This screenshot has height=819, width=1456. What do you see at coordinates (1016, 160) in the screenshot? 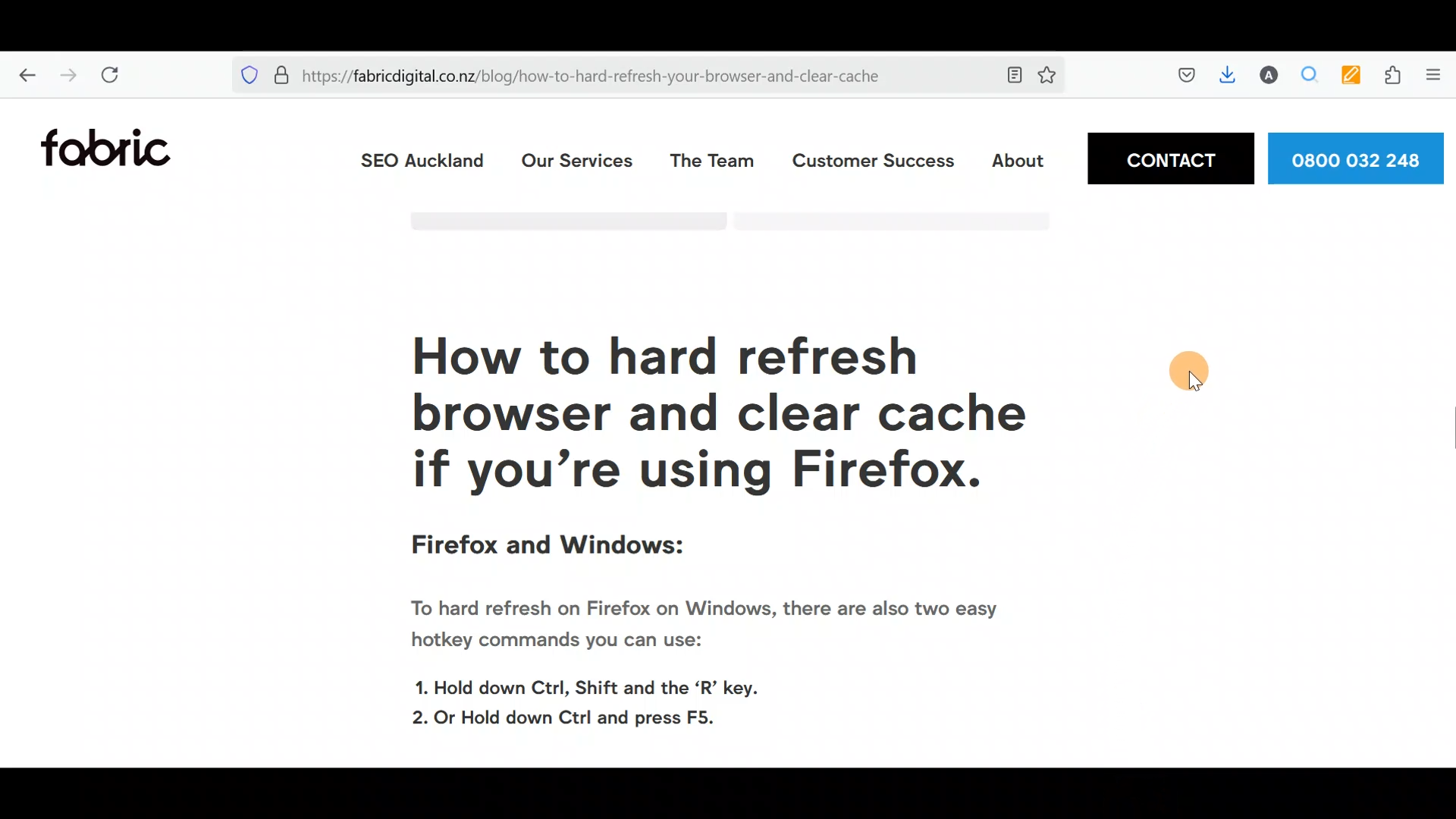
I see `About` at bounding box center [1016, 160].